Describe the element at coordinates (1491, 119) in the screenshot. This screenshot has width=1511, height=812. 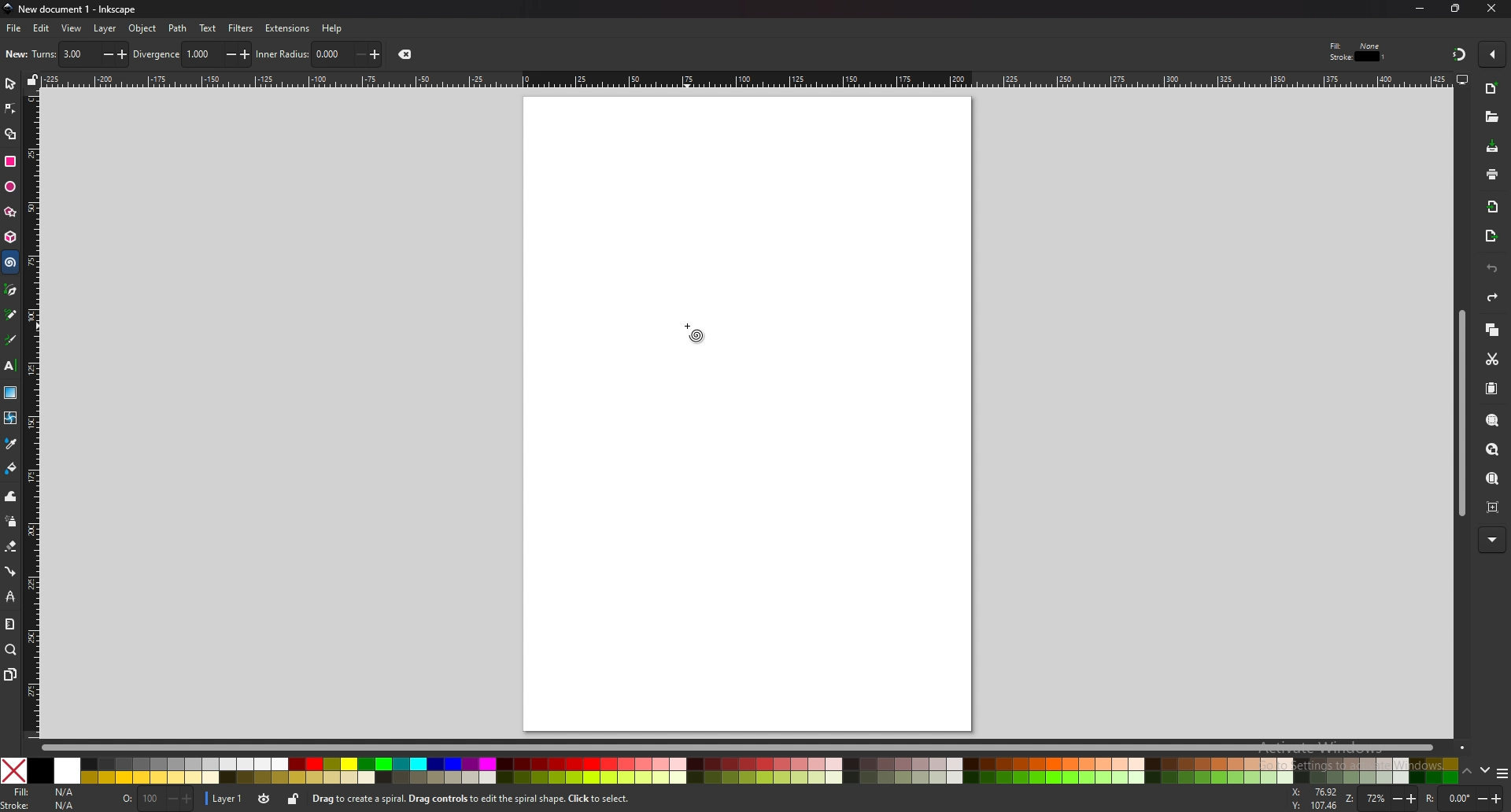
I see `open` at that location.